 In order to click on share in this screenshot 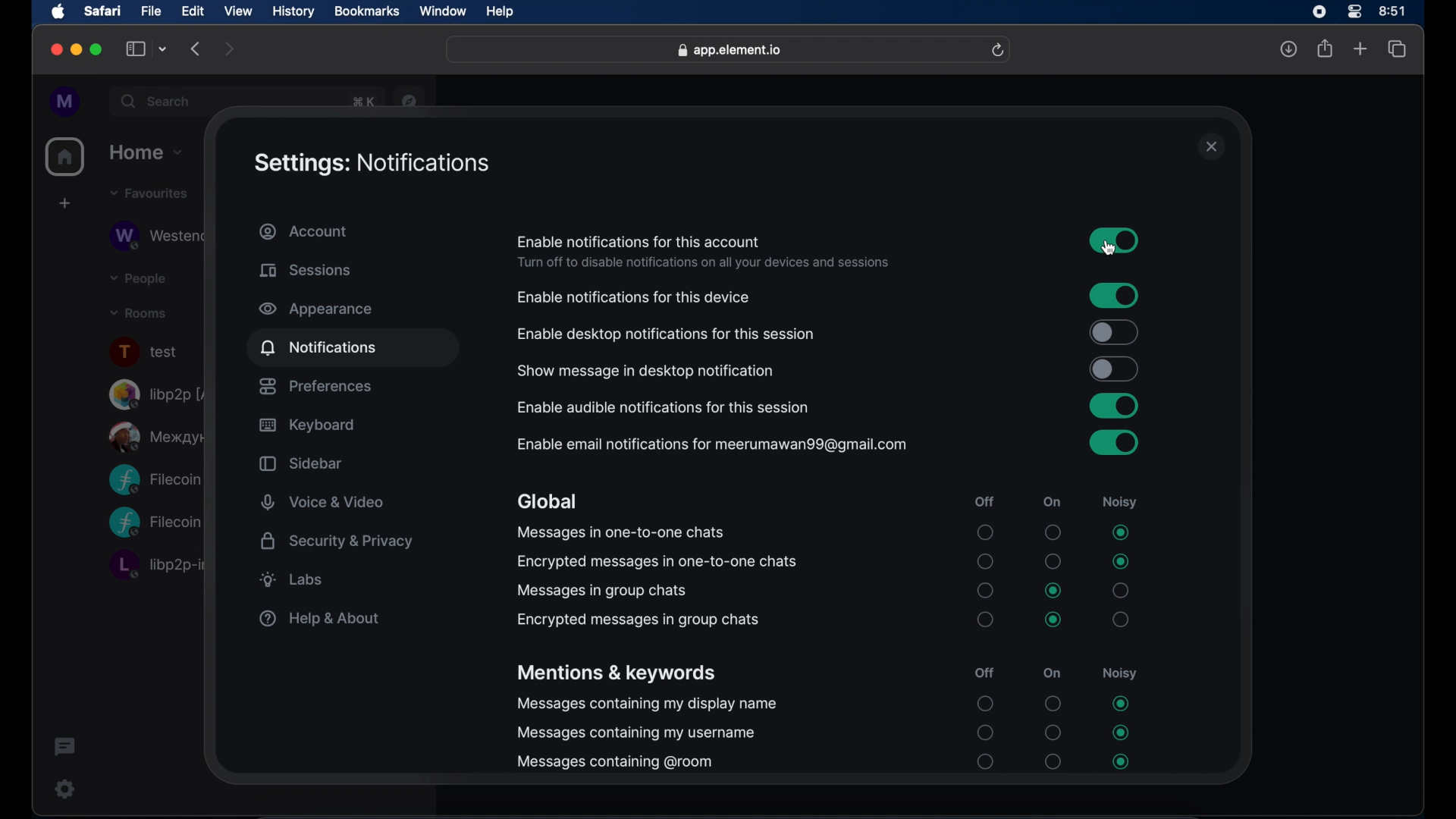, I will do `click(1326, 49)`.